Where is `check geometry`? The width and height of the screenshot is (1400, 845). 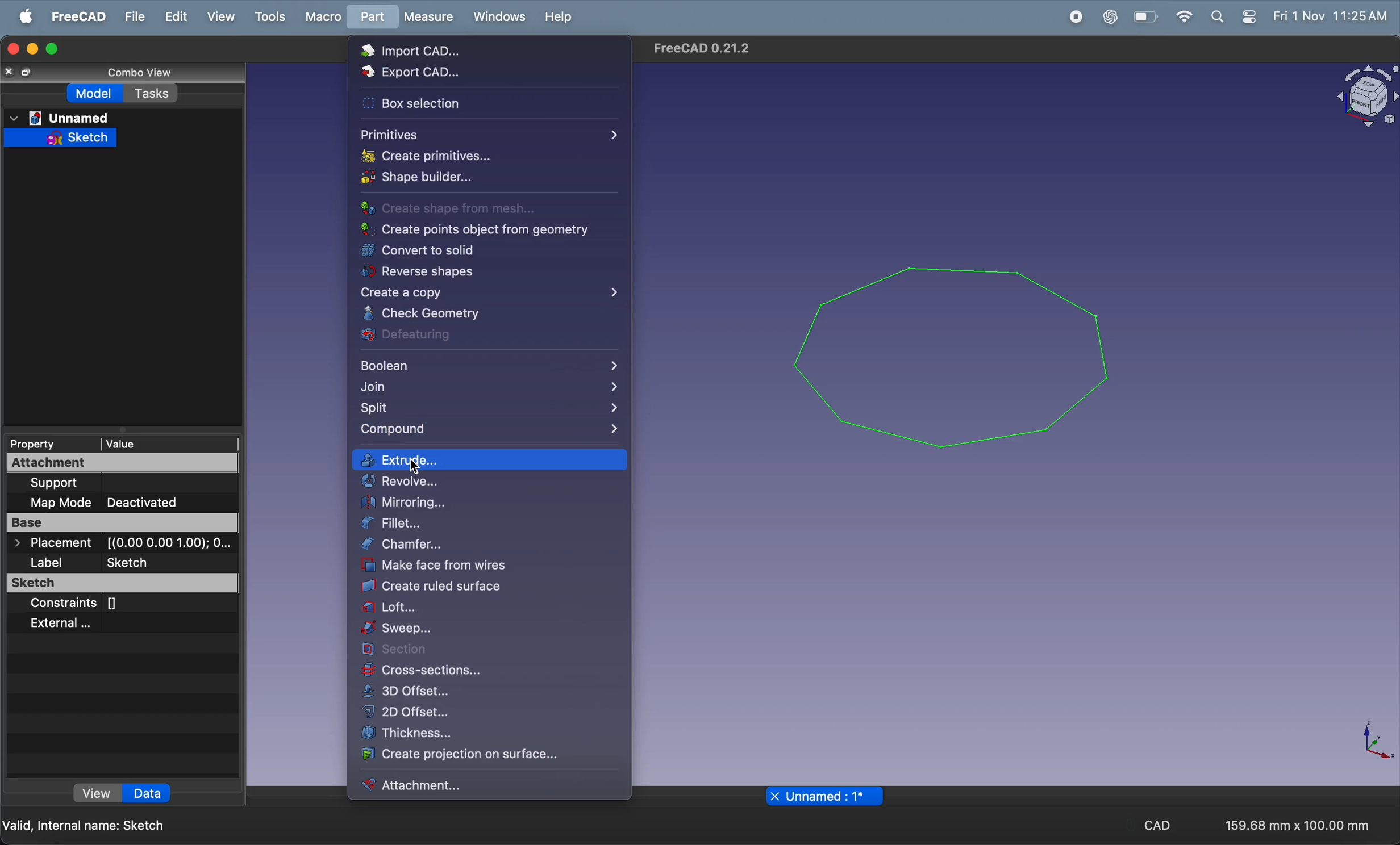
check geometry is located at coordinates (480, 314).